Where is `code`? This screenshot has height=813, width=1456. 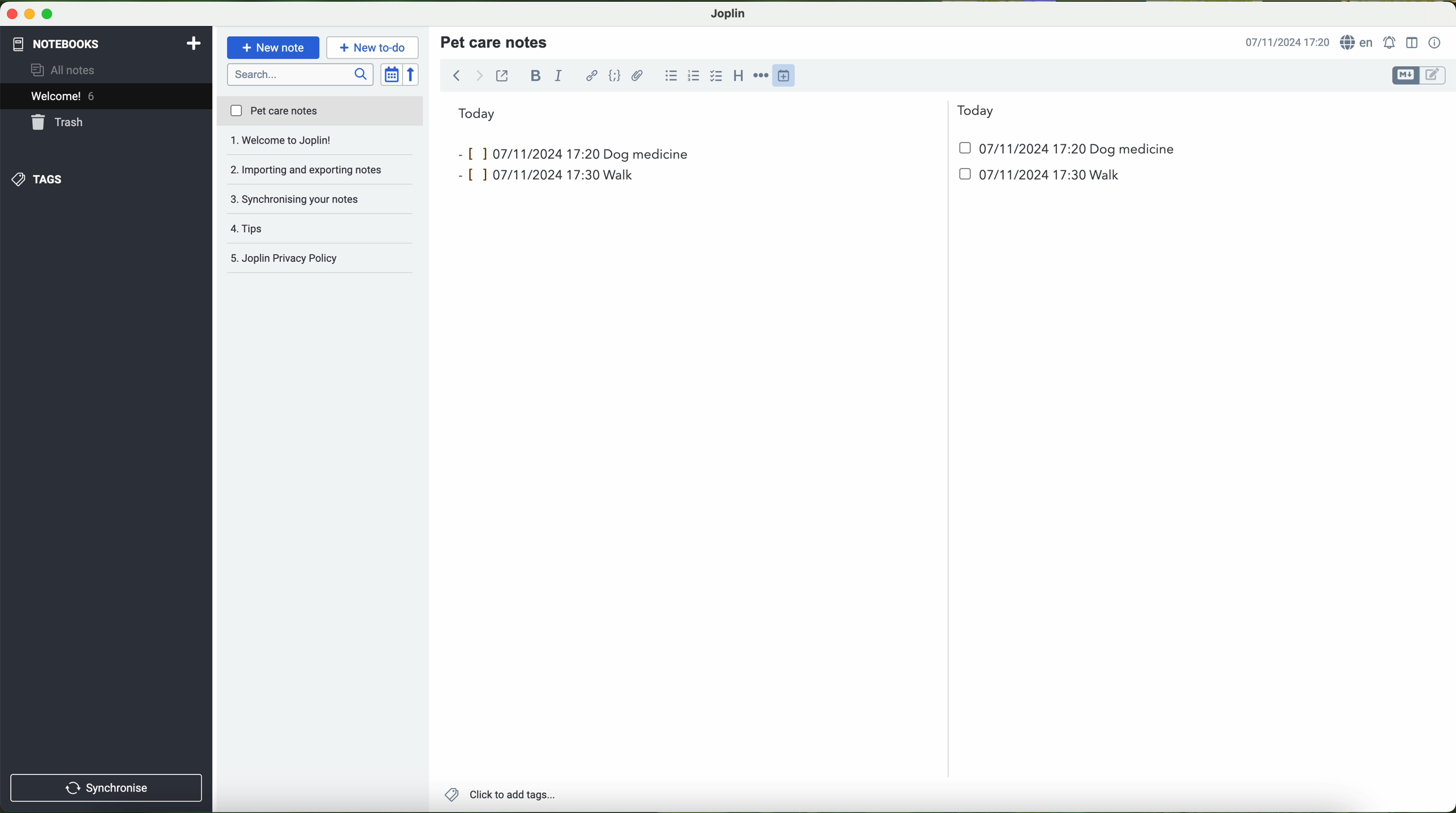
code is located at coordinates (614, 75).